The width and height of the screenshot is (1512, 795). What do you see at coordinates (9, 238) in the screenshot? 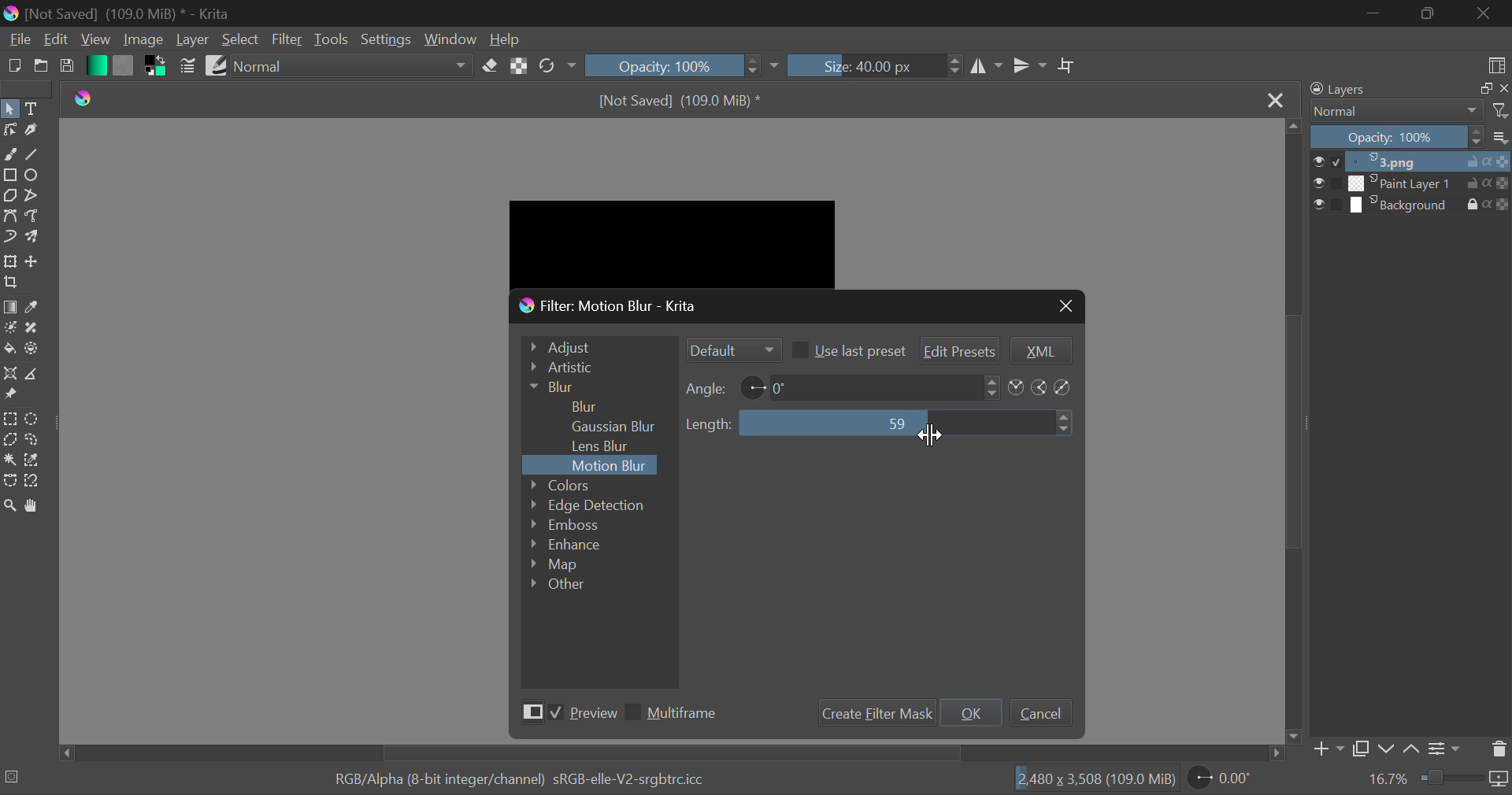
I see `Dynamic Brush` at bounding box center [9, 238].